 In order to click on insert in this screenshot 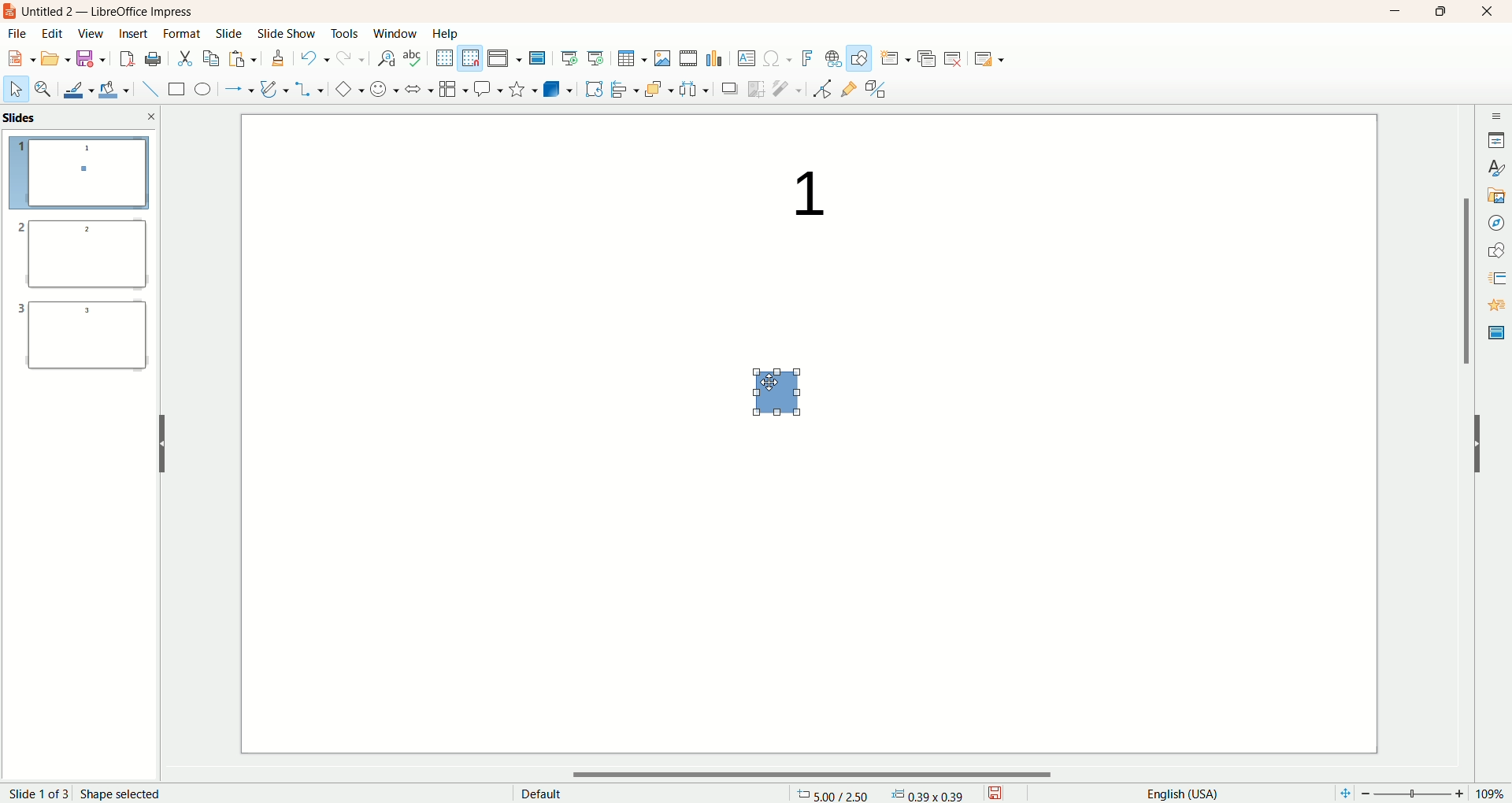, I will do `click(132, 34)`.